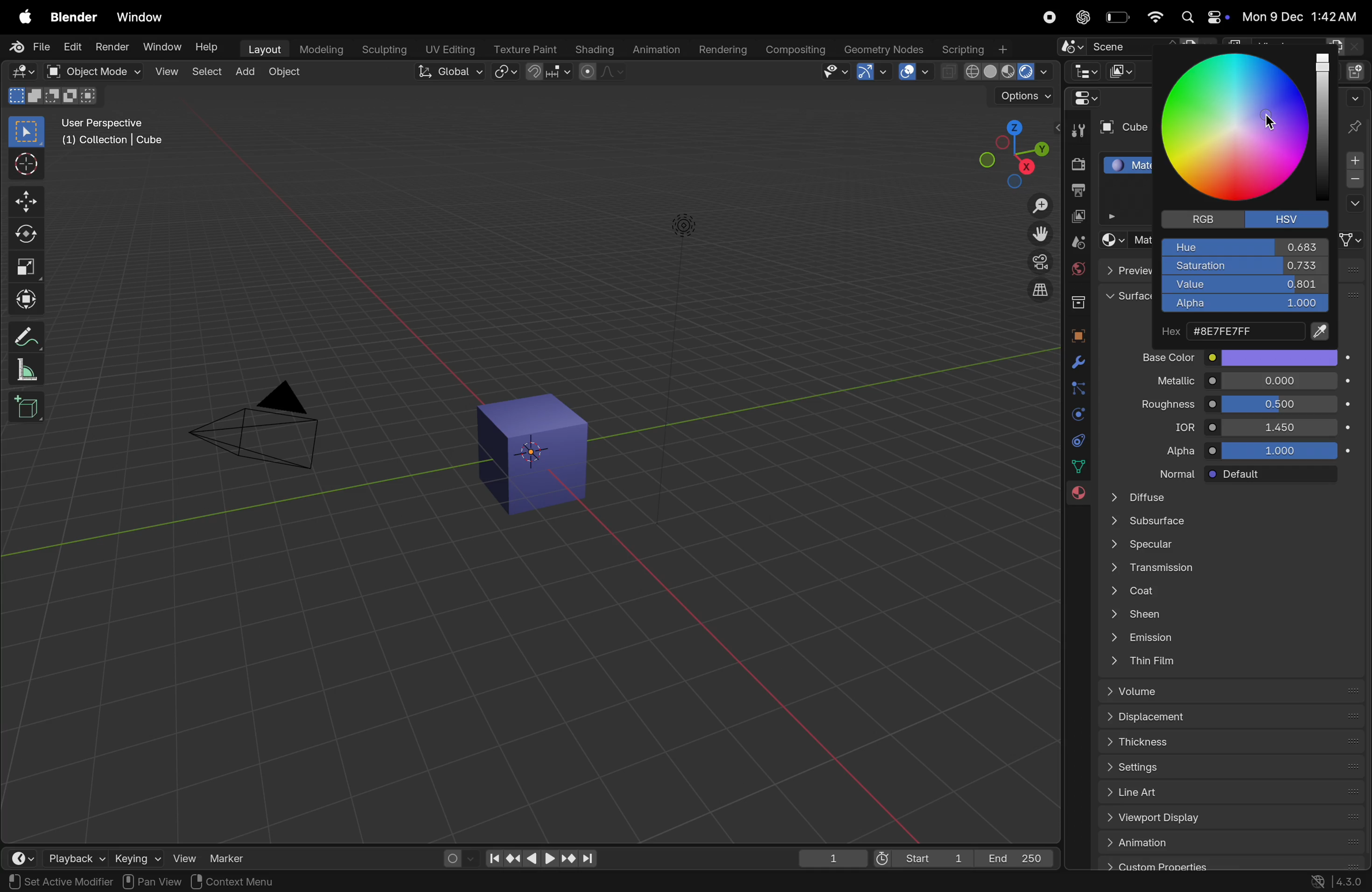 The width and height of the screenshot is (1372, 892). Describe the element at coordinates (62, 856) in the screenshot. I see `playback` at that location.